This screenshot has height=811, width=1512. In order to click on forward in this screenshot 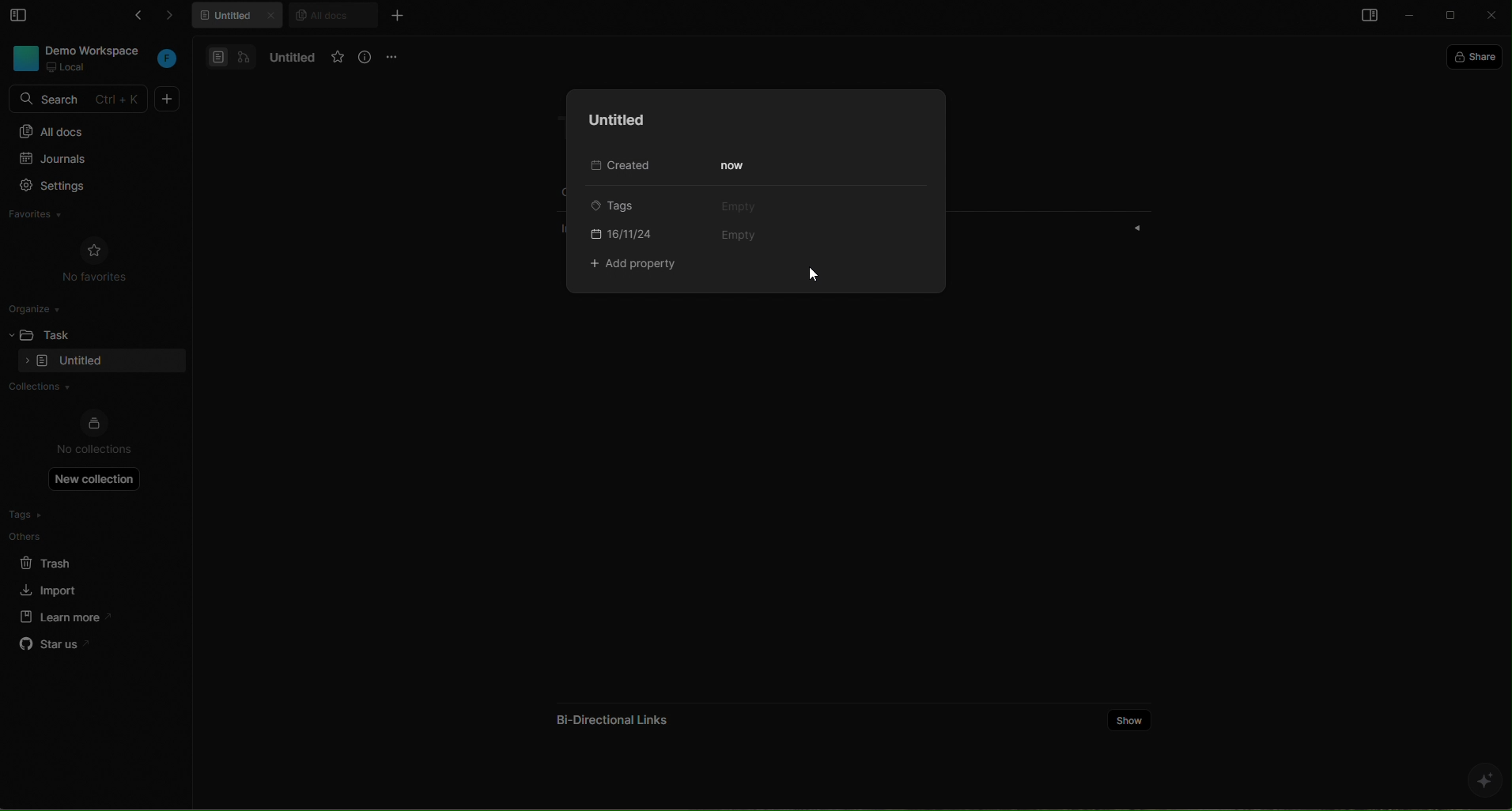, I will do `click(177, 18)`.